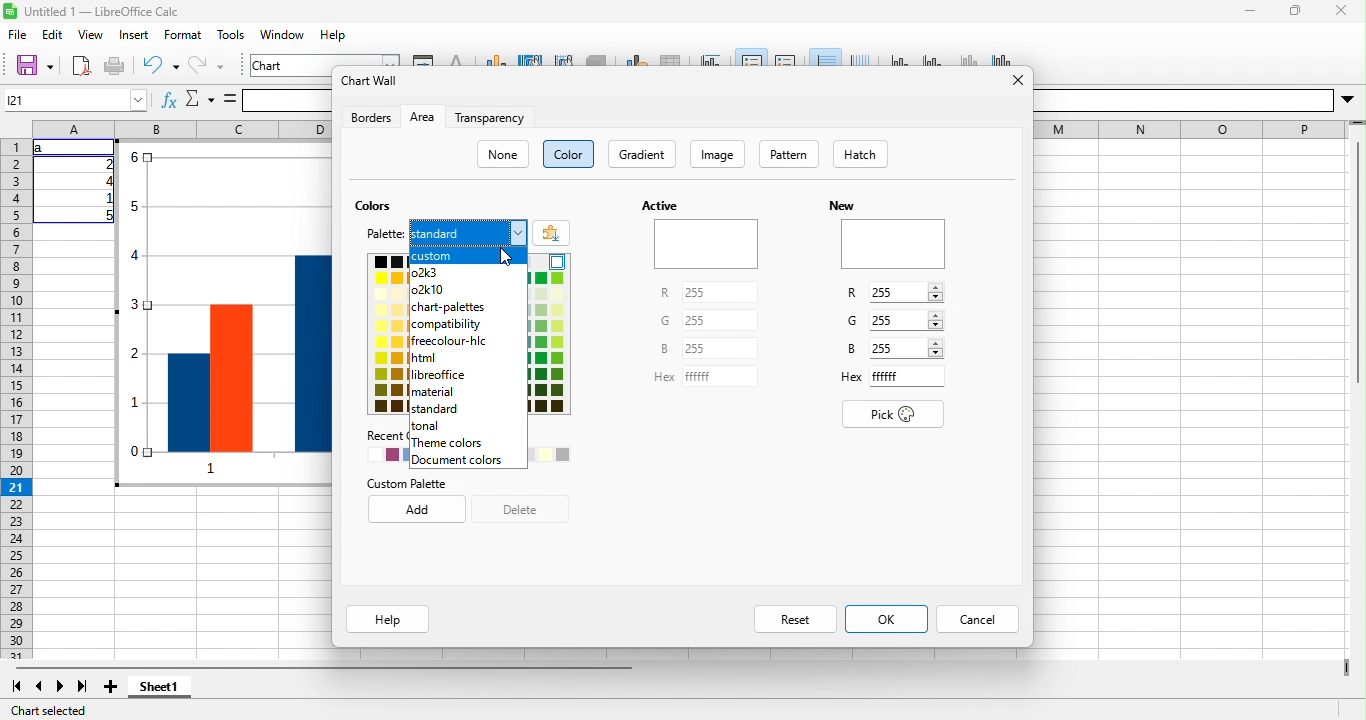 The image size is (1366, 720). Describe the element at coordinates (887, 619) in the screenshot. I see `ok` at that location.